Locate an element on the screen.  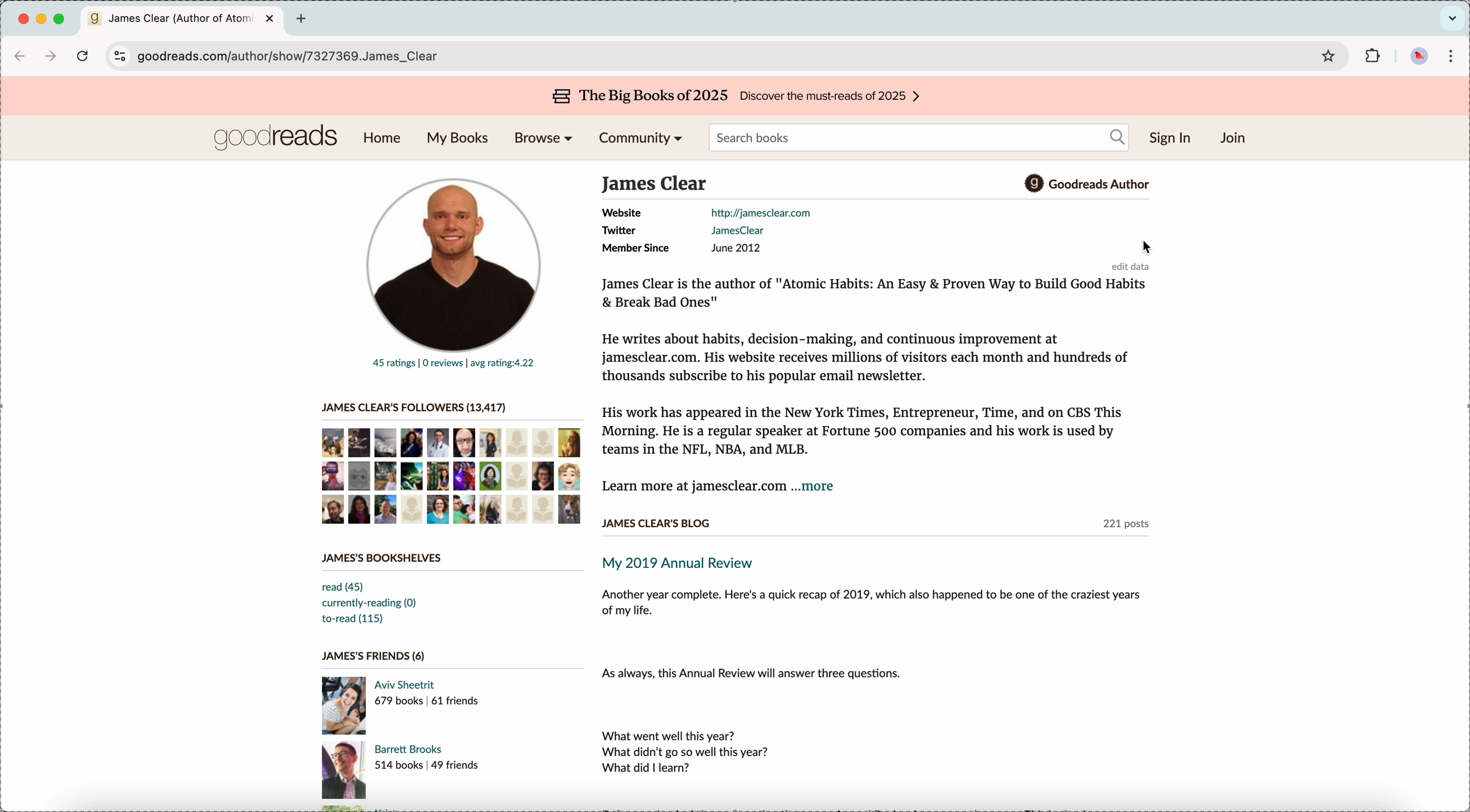
the big books of 2025 Discover the must-reads of 2025 is located at coordinates (738, 97).